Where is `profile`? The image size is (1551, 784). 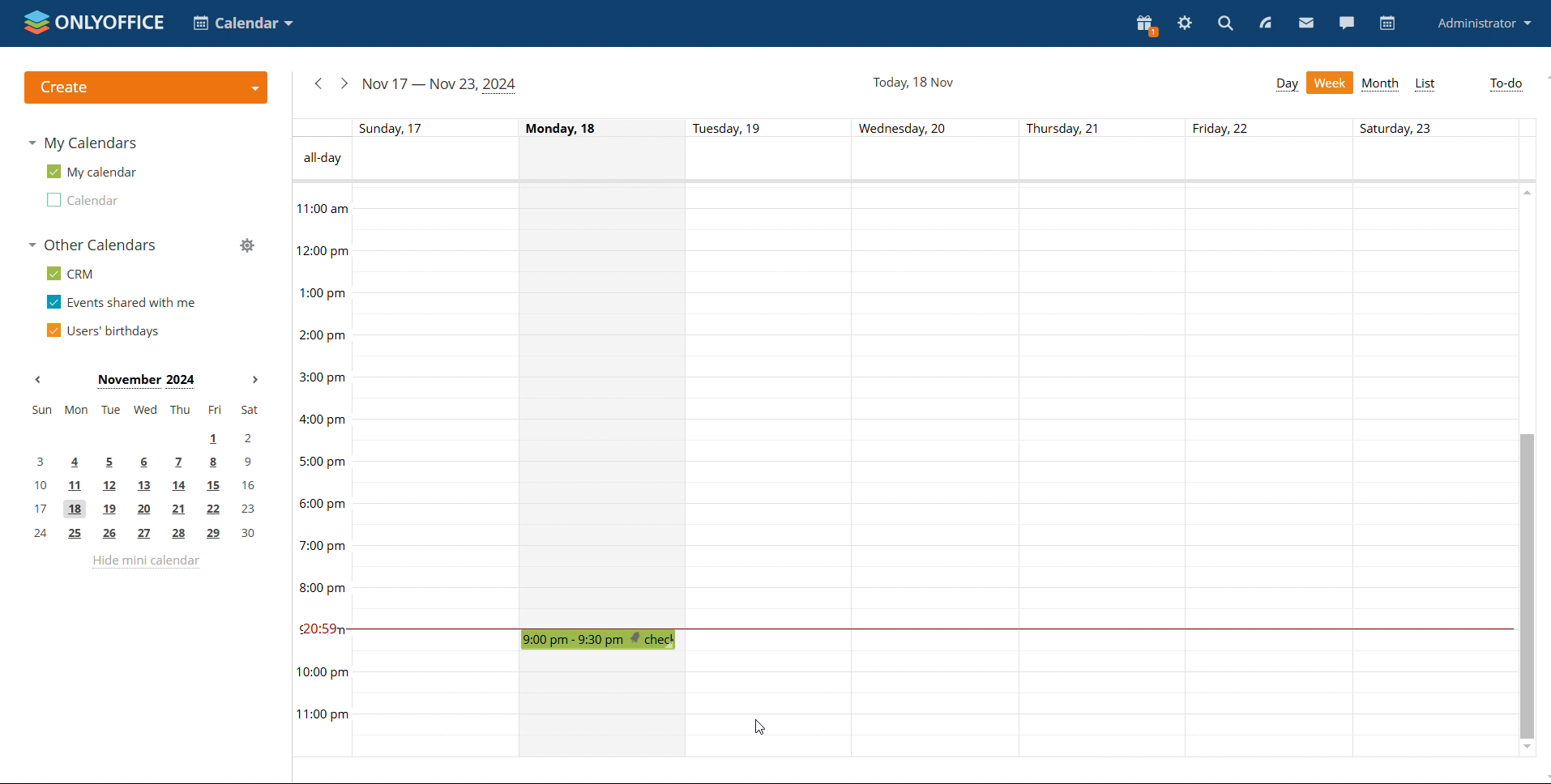 profile is located at coordinates (1485, 23).